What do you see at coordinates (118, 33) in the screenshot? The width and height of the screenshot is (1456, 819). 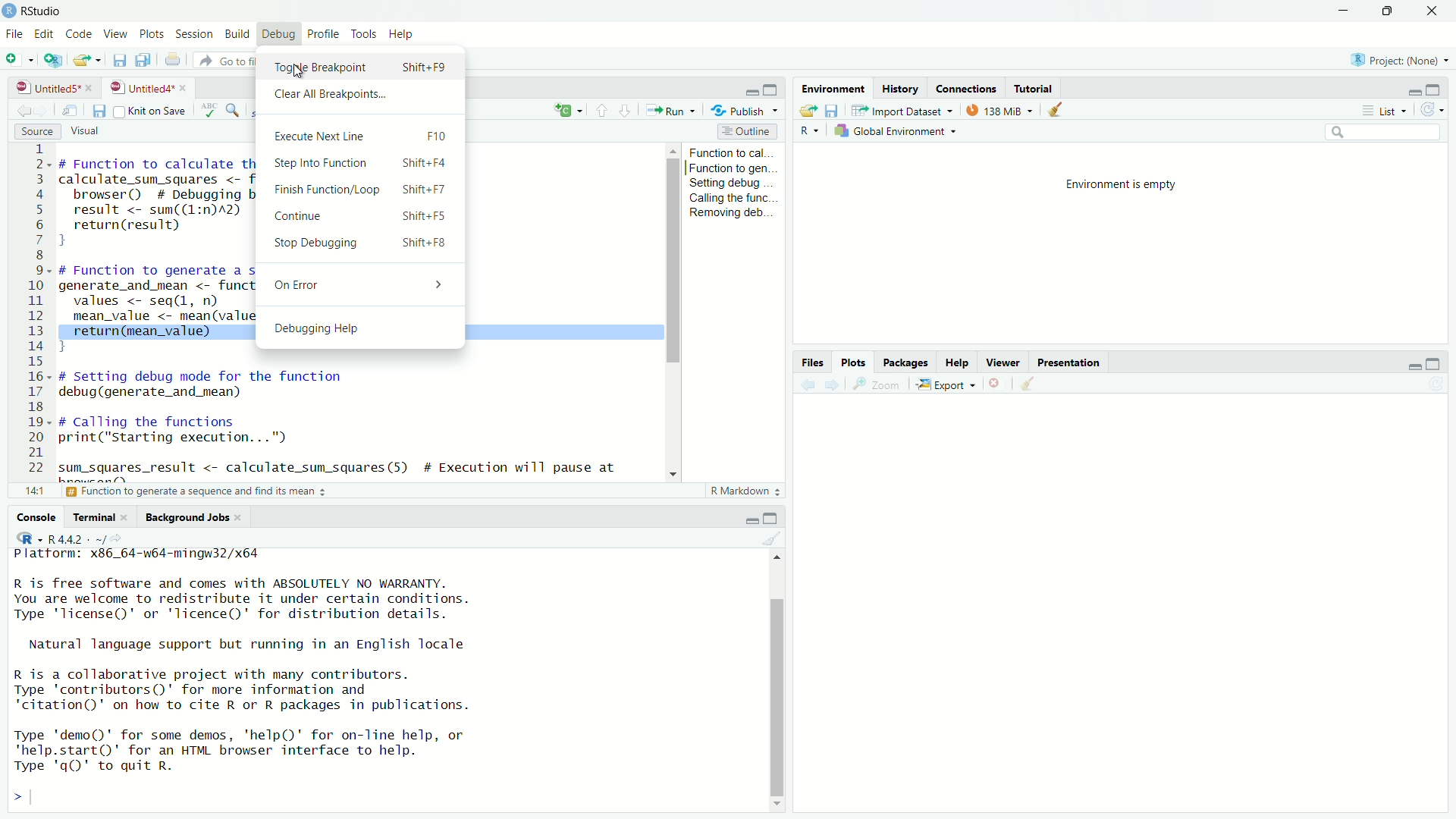 I see `view` at bounding box center [118, 33].